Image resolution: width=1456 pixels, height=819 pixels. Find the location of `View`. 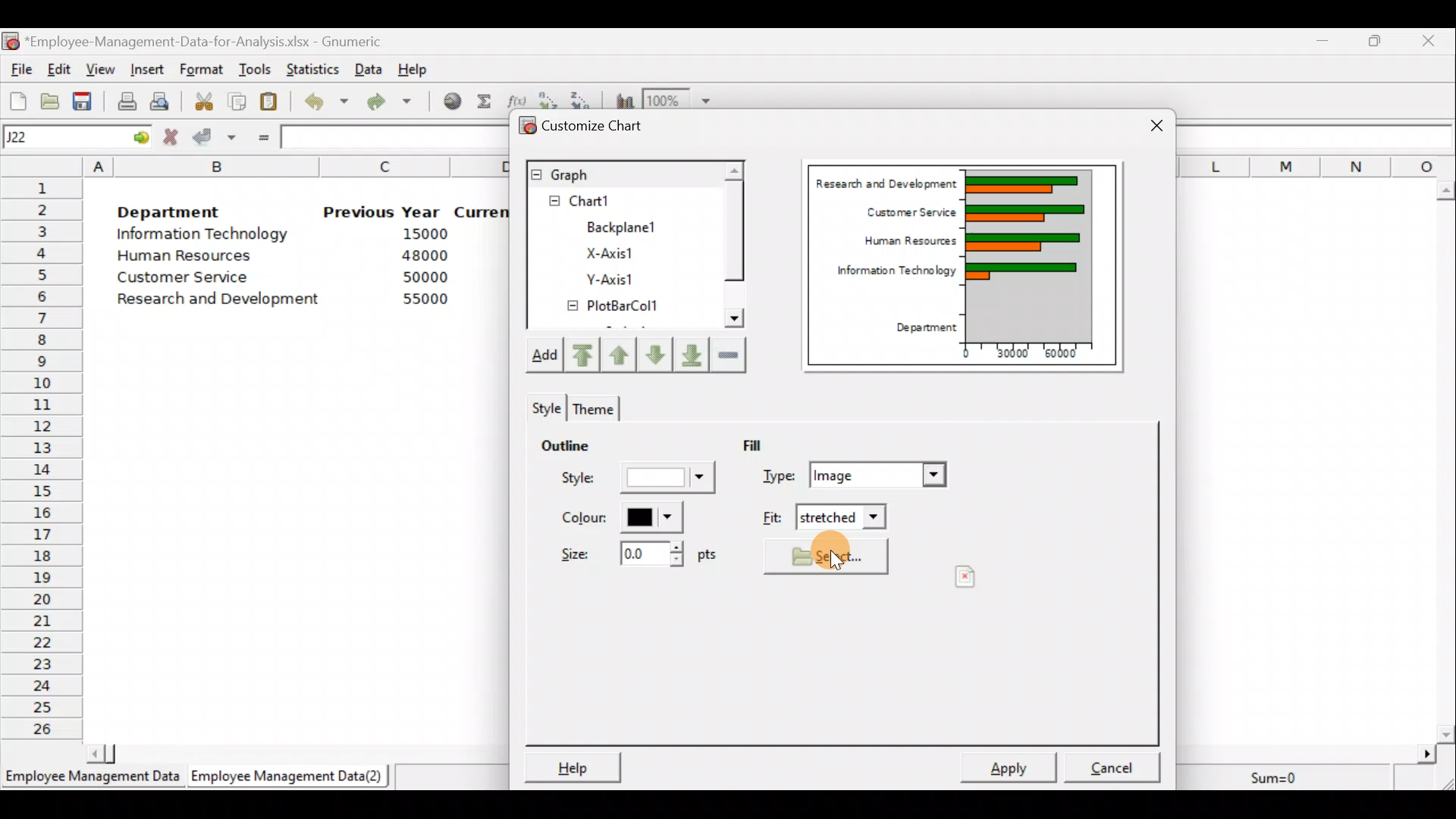

View is located at coordinates (101, 68).